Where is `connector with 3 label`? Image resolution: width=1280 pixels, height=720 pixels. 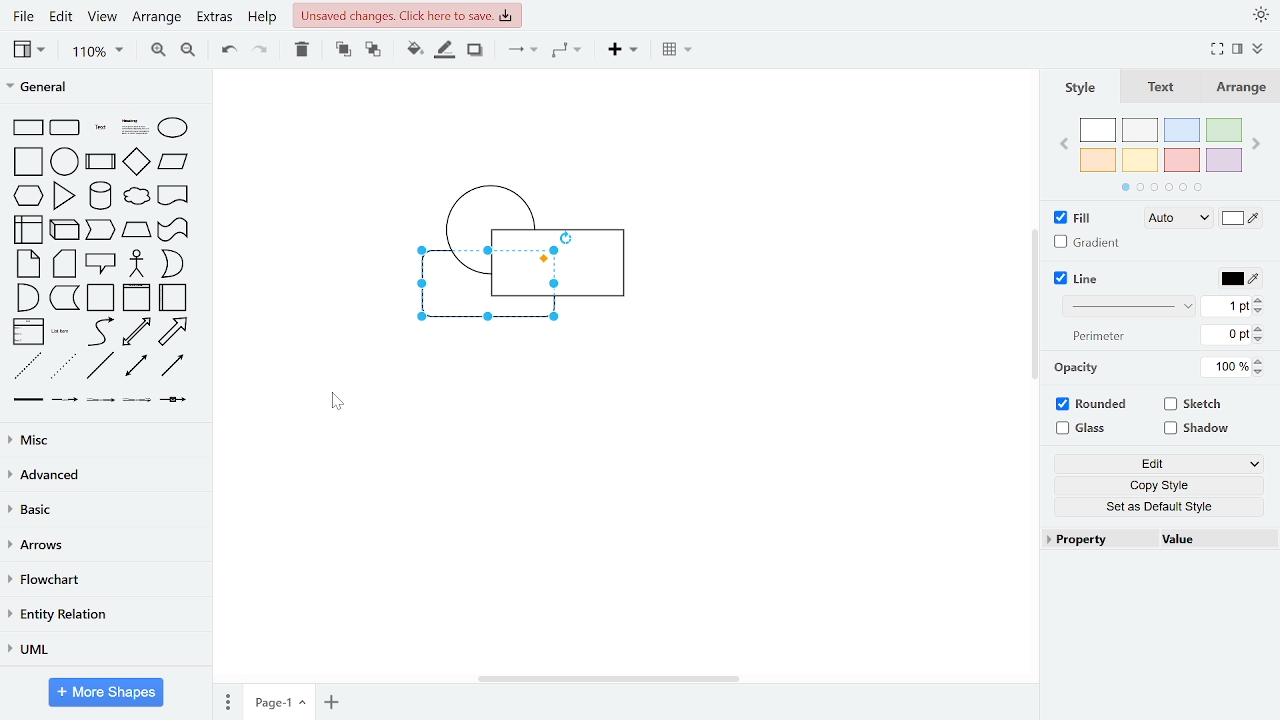
connector with 3 label is located at coordinates (139, 401).